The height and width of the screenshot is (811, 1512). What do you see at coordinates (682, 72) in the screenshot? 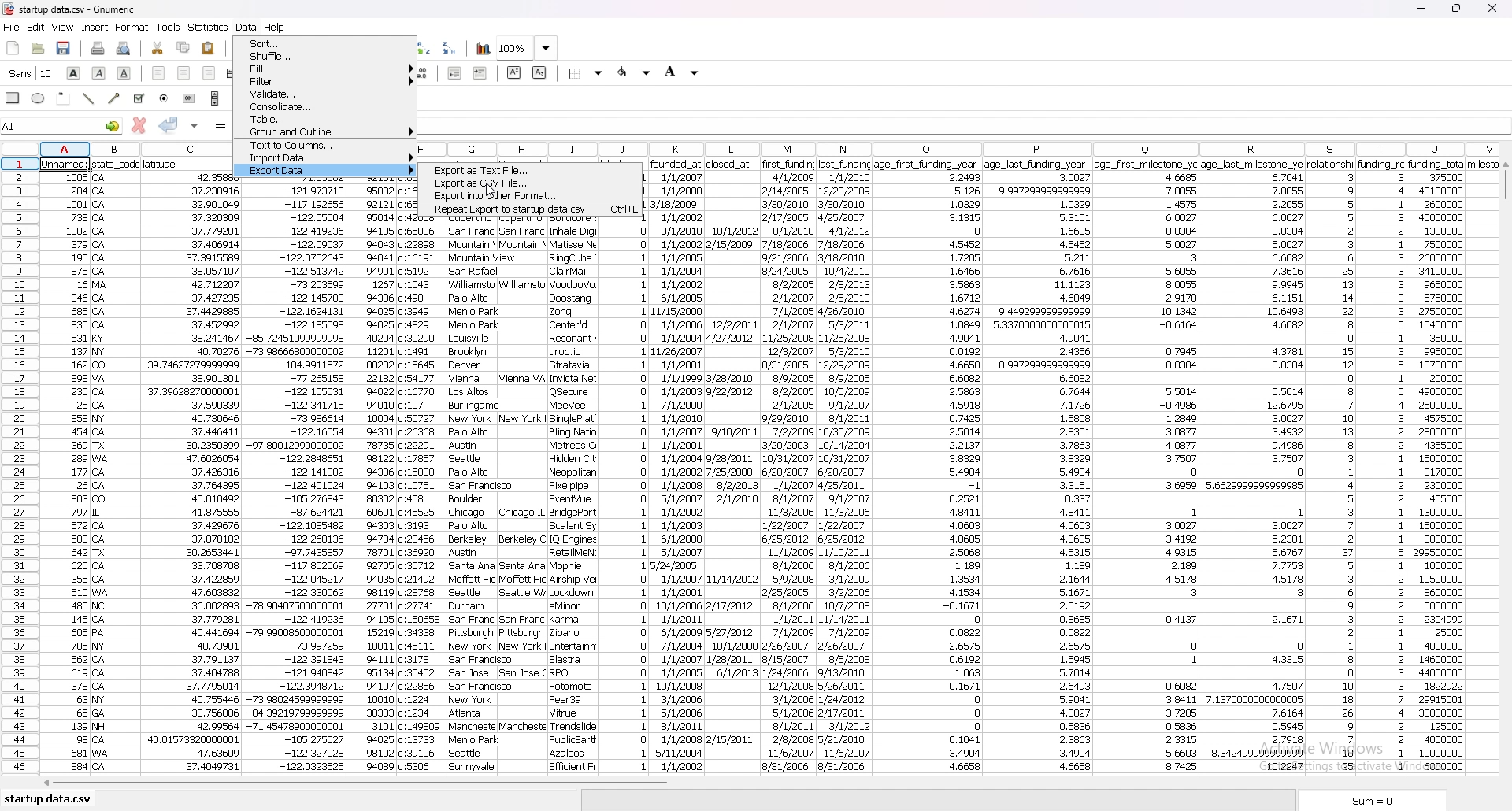
I see `background` at bounding box center [682, 72].